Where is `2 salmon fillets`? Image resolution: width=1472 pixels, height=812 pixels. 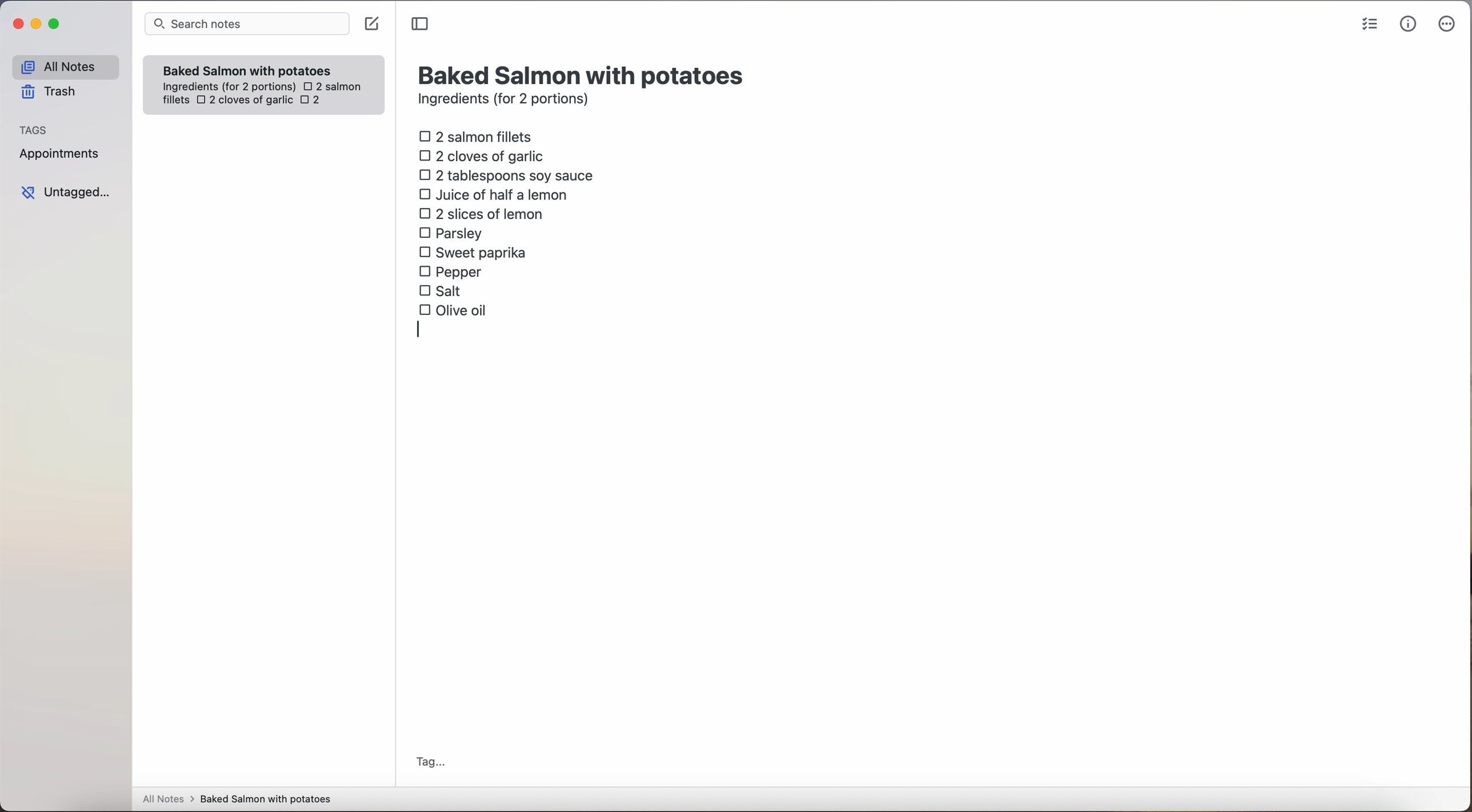
2 salmon fillets is located at coordinates (479, 135).